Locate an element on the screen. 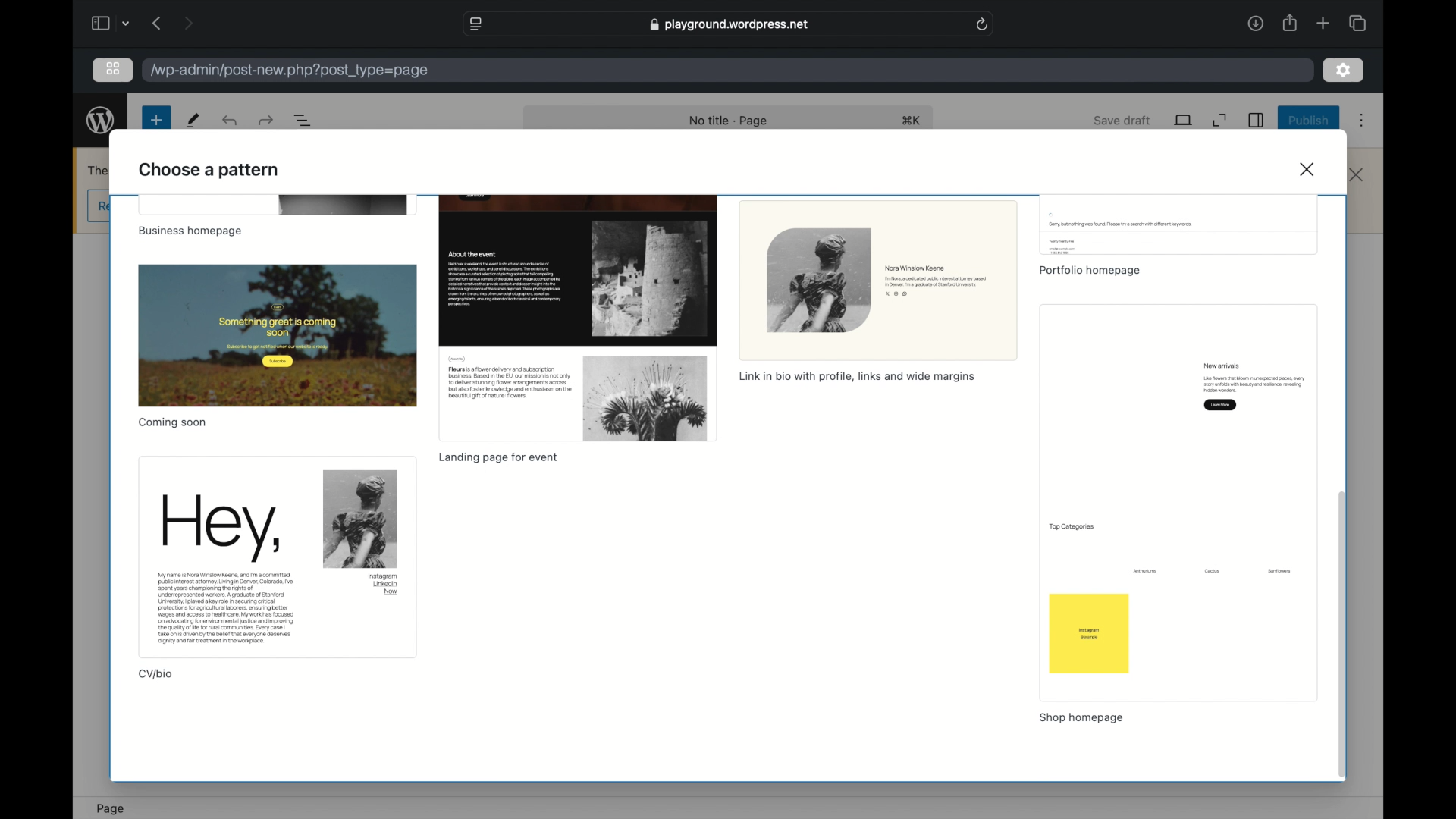 The image size is (1456, 819). tools is located at coordinates (193, 121).